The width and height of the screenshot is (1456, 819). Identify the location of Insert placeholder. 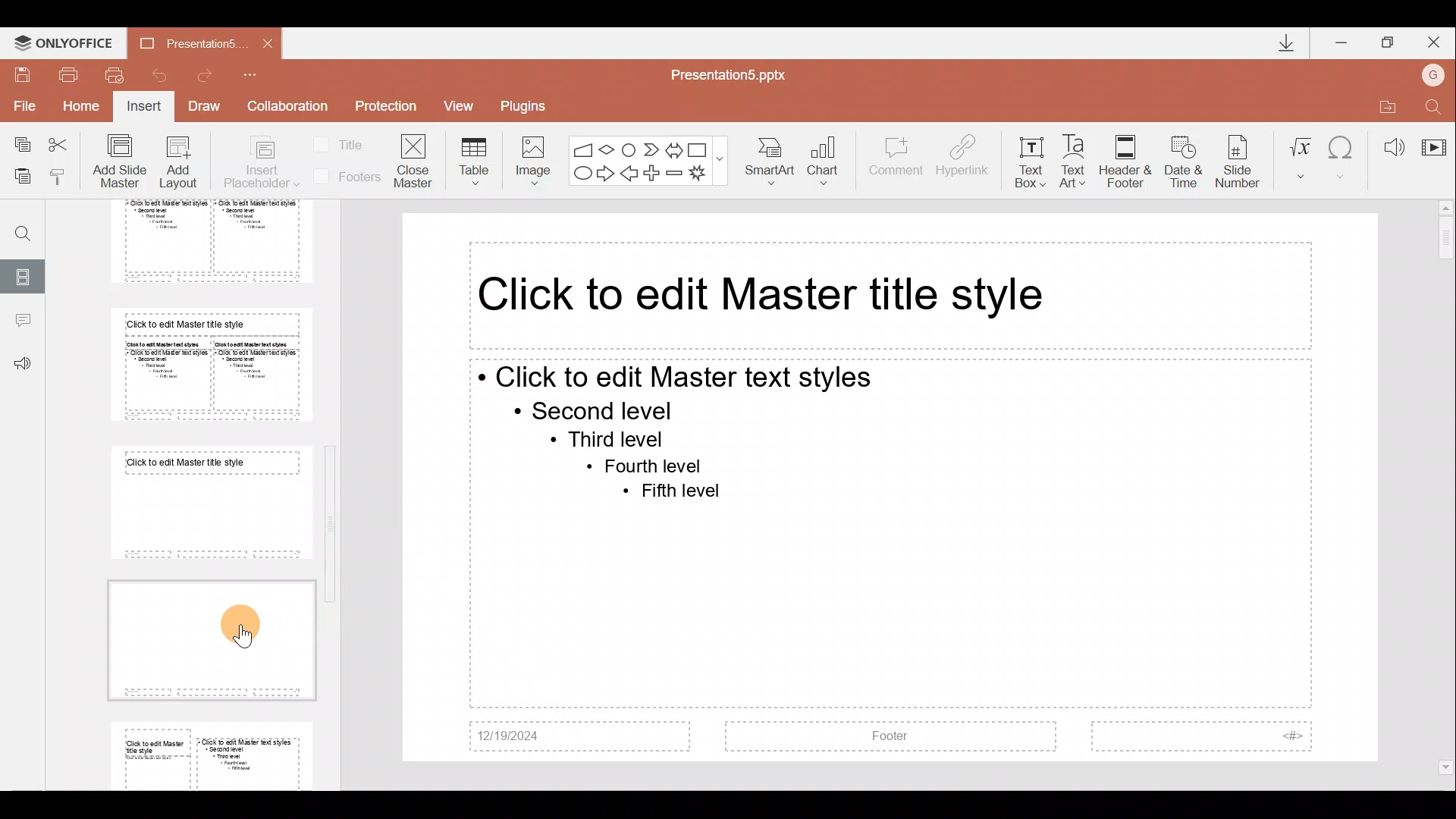
(260, 163).